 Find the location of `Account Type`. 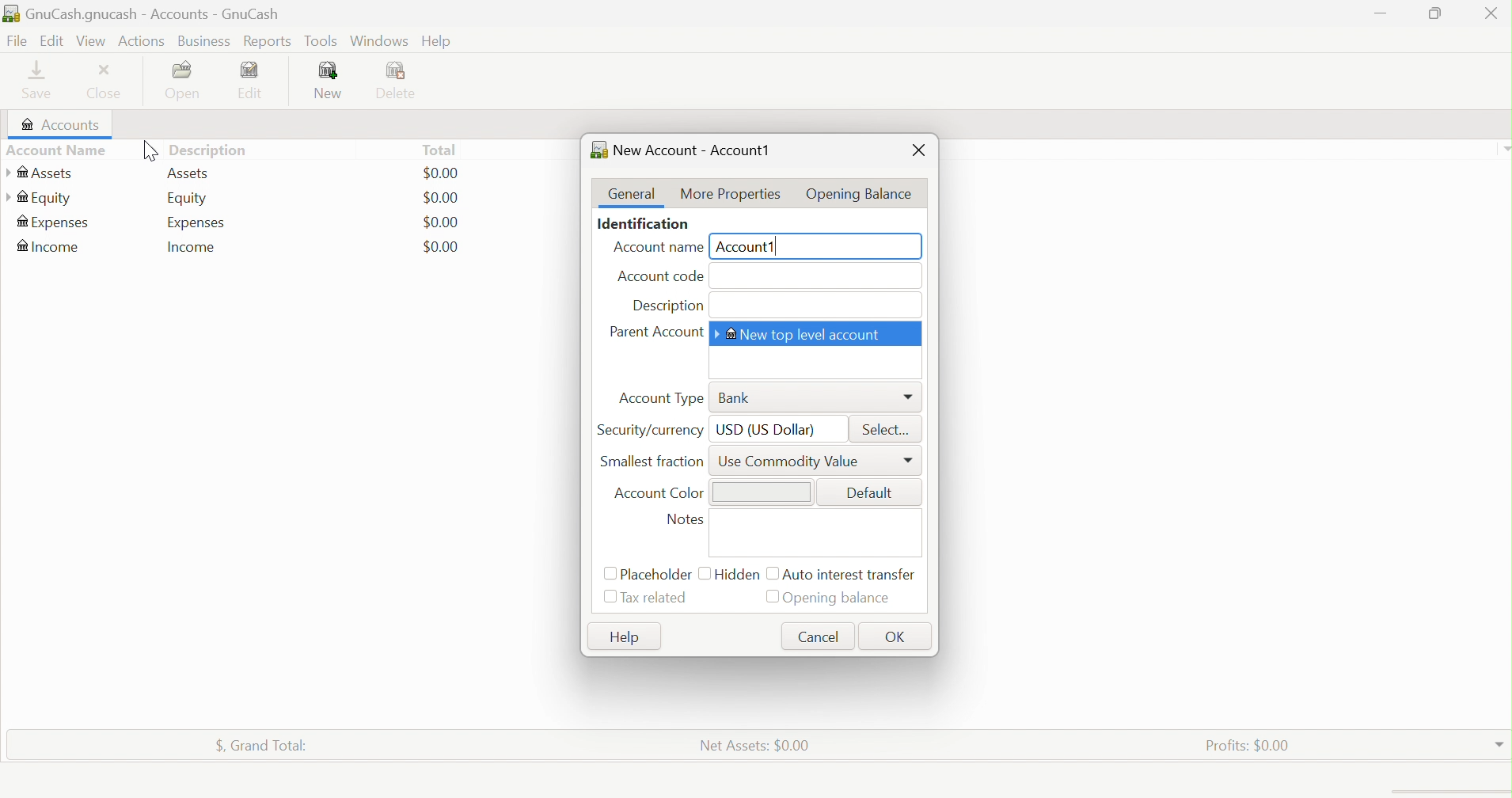

Account Type is located at coordinates (661, 398).